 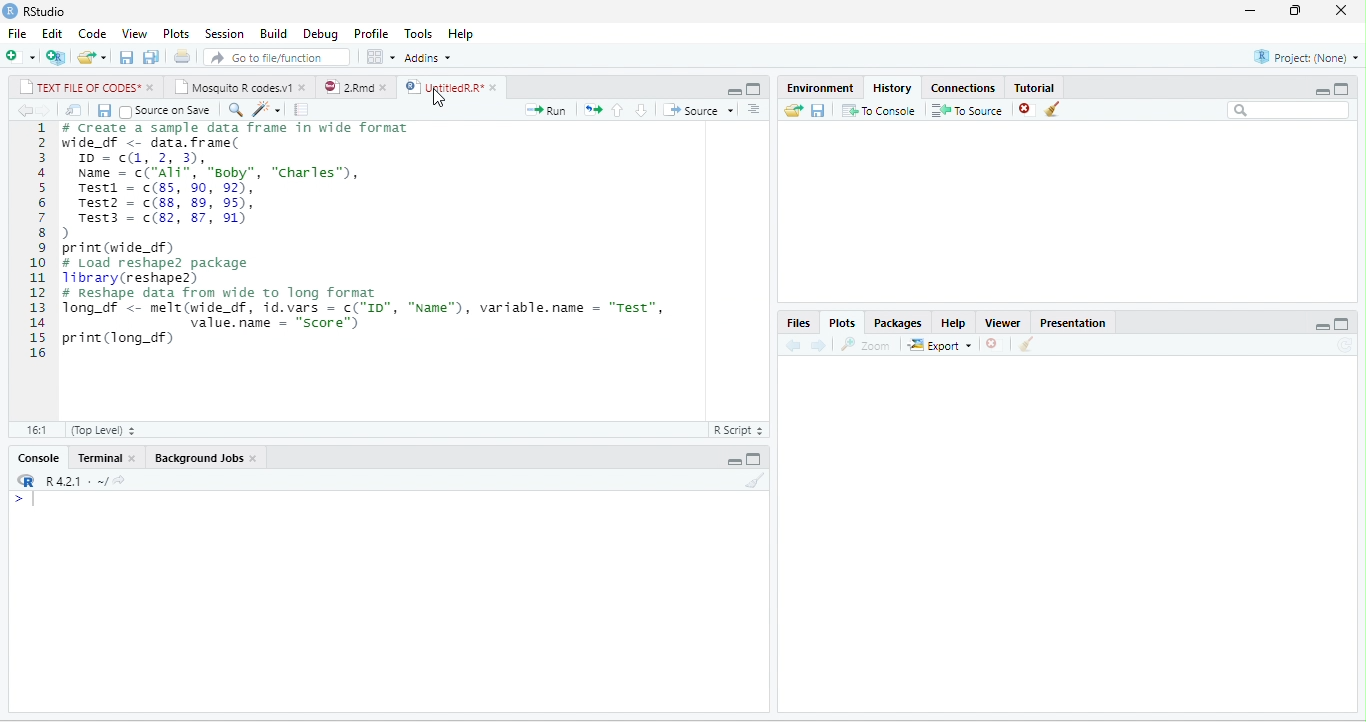 What do you see at coordinates (17, 34) in the screenshot?
I see `File` at bounding box center [17, 34].